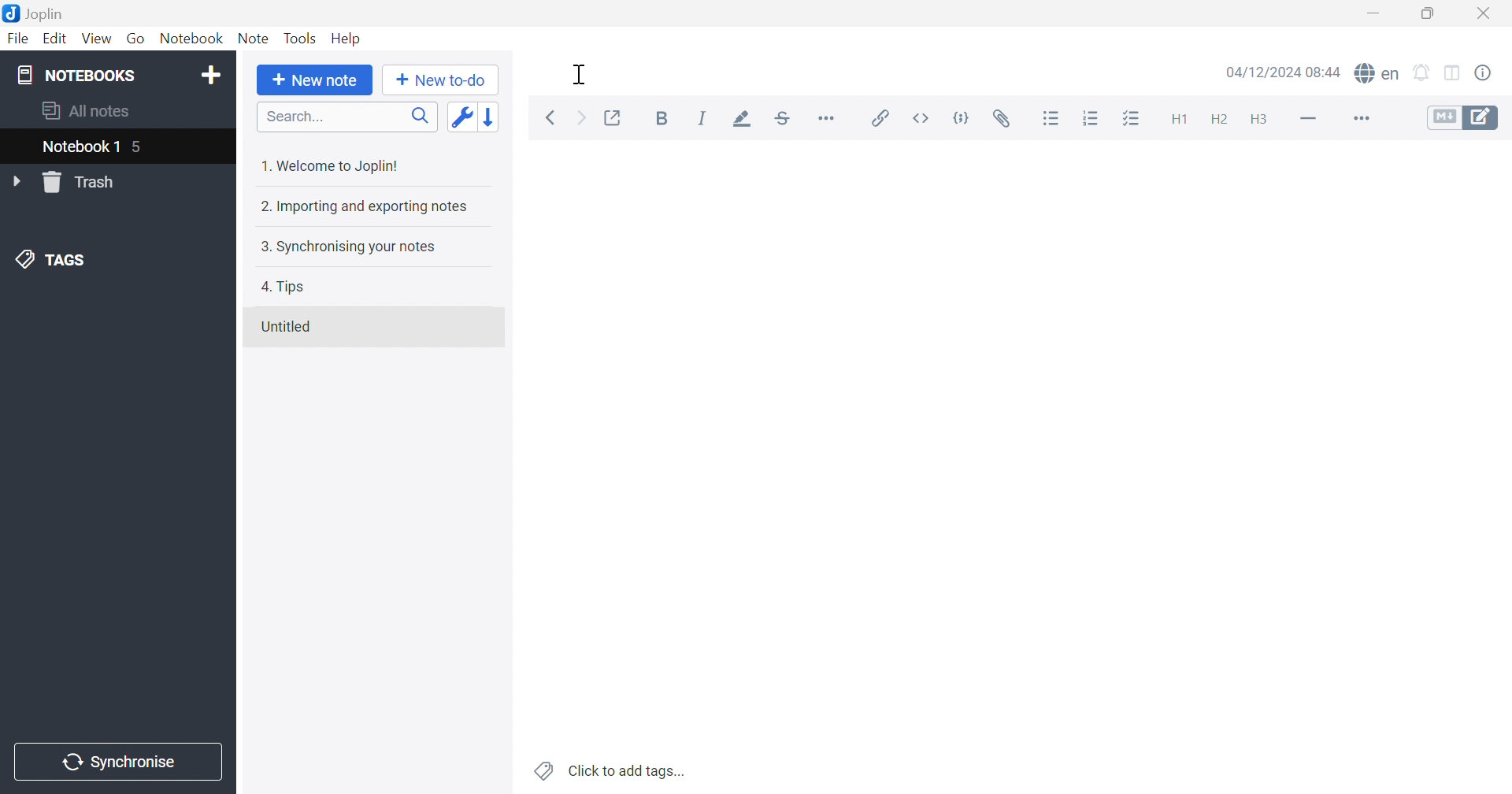 The height and width of the screenshot is (794, 1512). I want to click on 04/12/2024 08:44, so click(1281, 72).